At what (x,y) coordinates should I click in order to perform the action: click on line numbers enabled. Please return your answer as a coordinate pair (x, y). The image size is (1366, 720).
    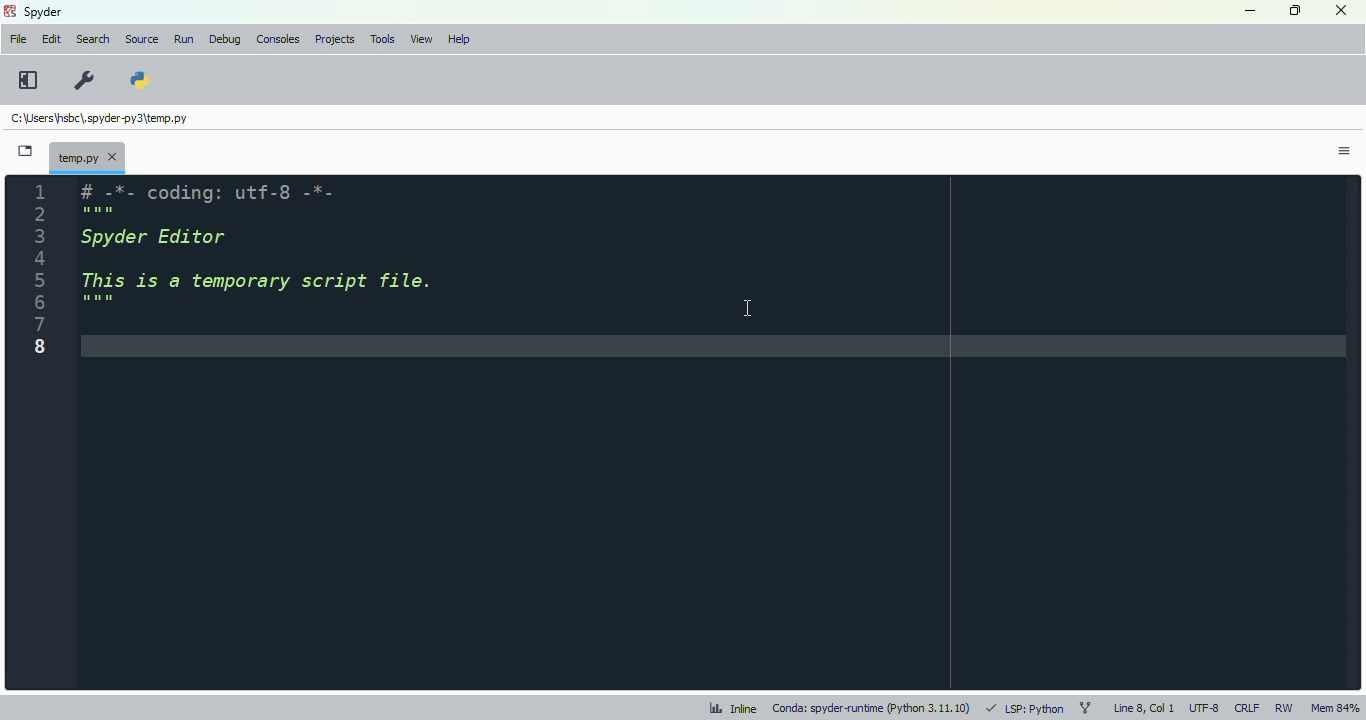
    Looking at the image, I should click on (42, 273).